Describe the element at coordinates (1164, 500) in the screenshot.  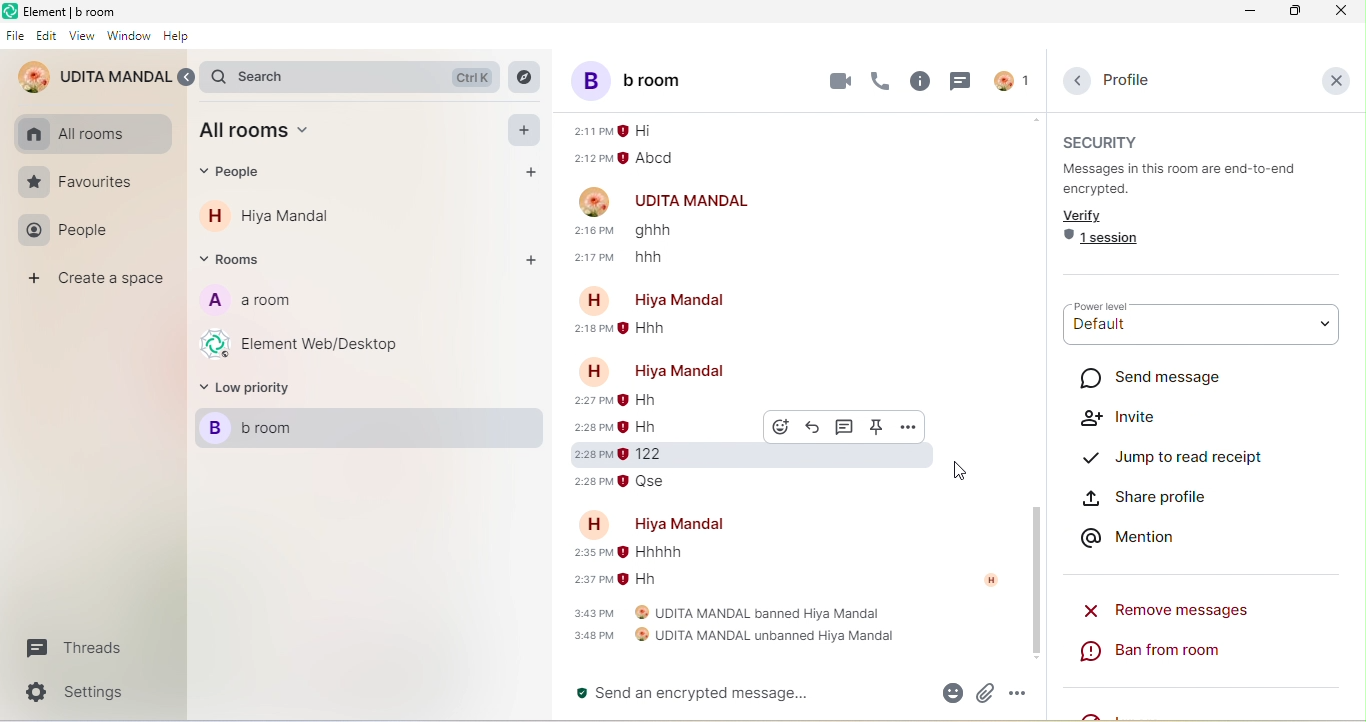
I see `share profile` at that location.